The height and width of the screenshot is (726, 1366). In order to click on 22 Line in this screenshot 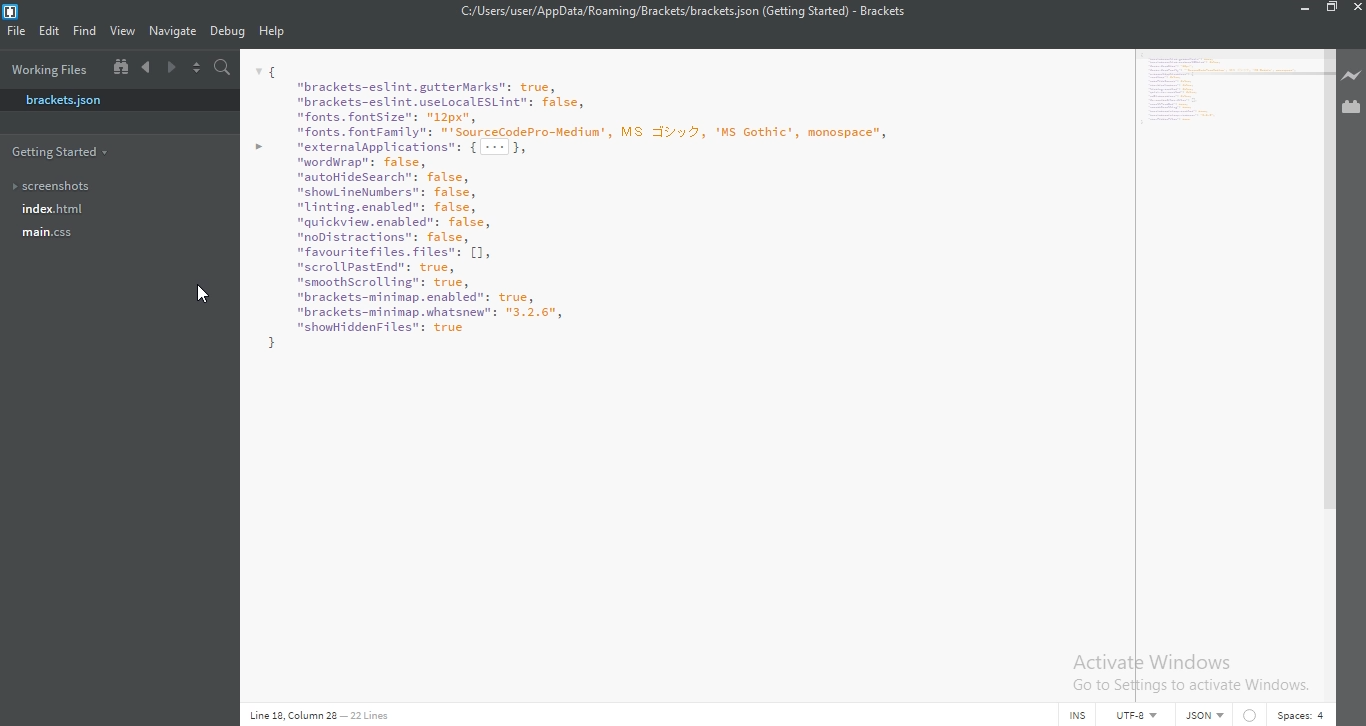, I will do `click(371, 713)`.